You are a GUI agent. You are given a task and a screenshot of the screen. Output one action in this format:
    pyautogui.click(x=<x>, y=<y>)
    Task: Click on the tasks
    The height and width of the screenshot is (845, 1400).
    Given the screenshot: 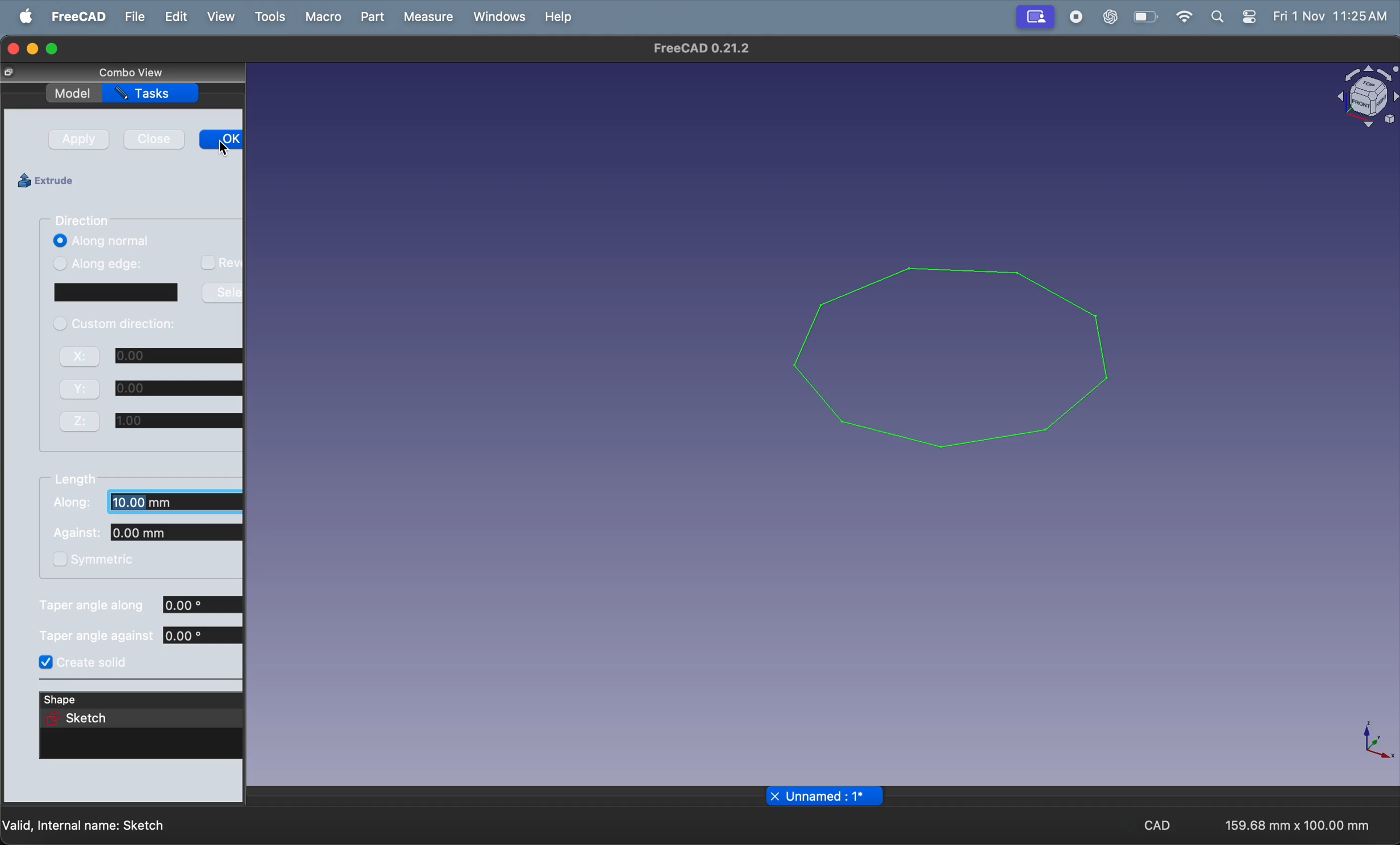 What is the action you would take?
    pyautogui.click(x=153, y=94)
    